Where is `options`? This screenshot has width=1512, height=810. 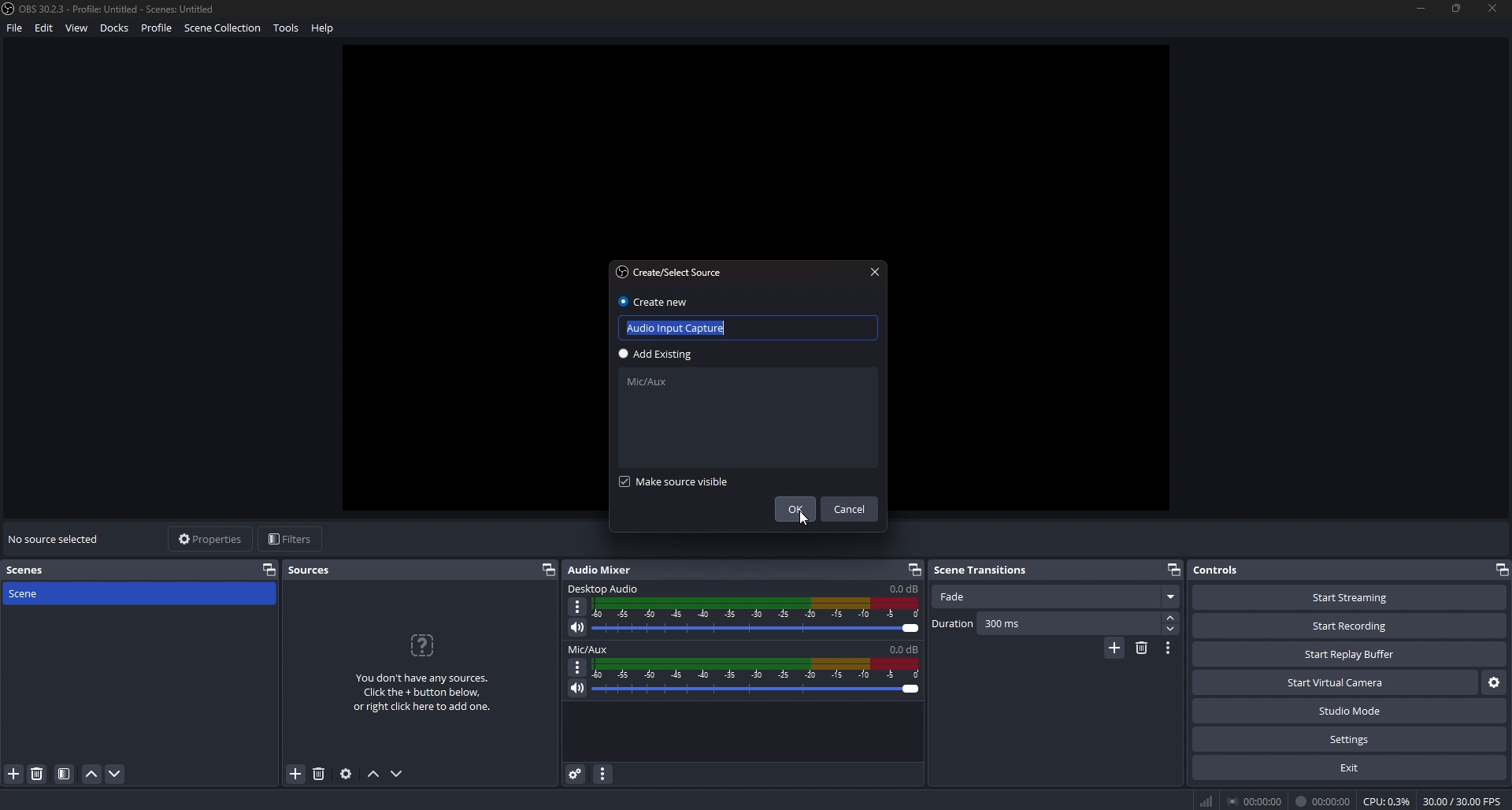
options is located at coordinates (579, 607).